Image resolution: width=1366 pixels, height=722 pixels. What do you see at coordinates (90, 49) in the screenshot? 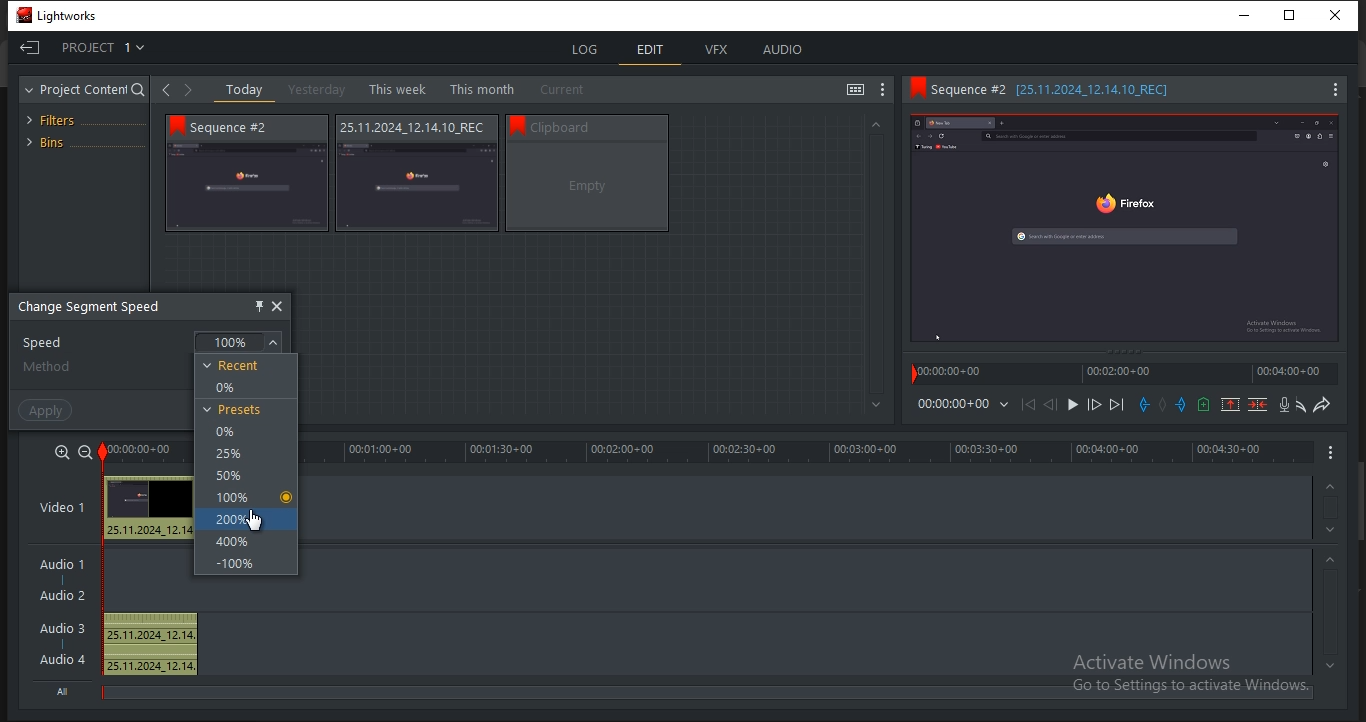
I see `project 1` at bounding box center [90, 49].